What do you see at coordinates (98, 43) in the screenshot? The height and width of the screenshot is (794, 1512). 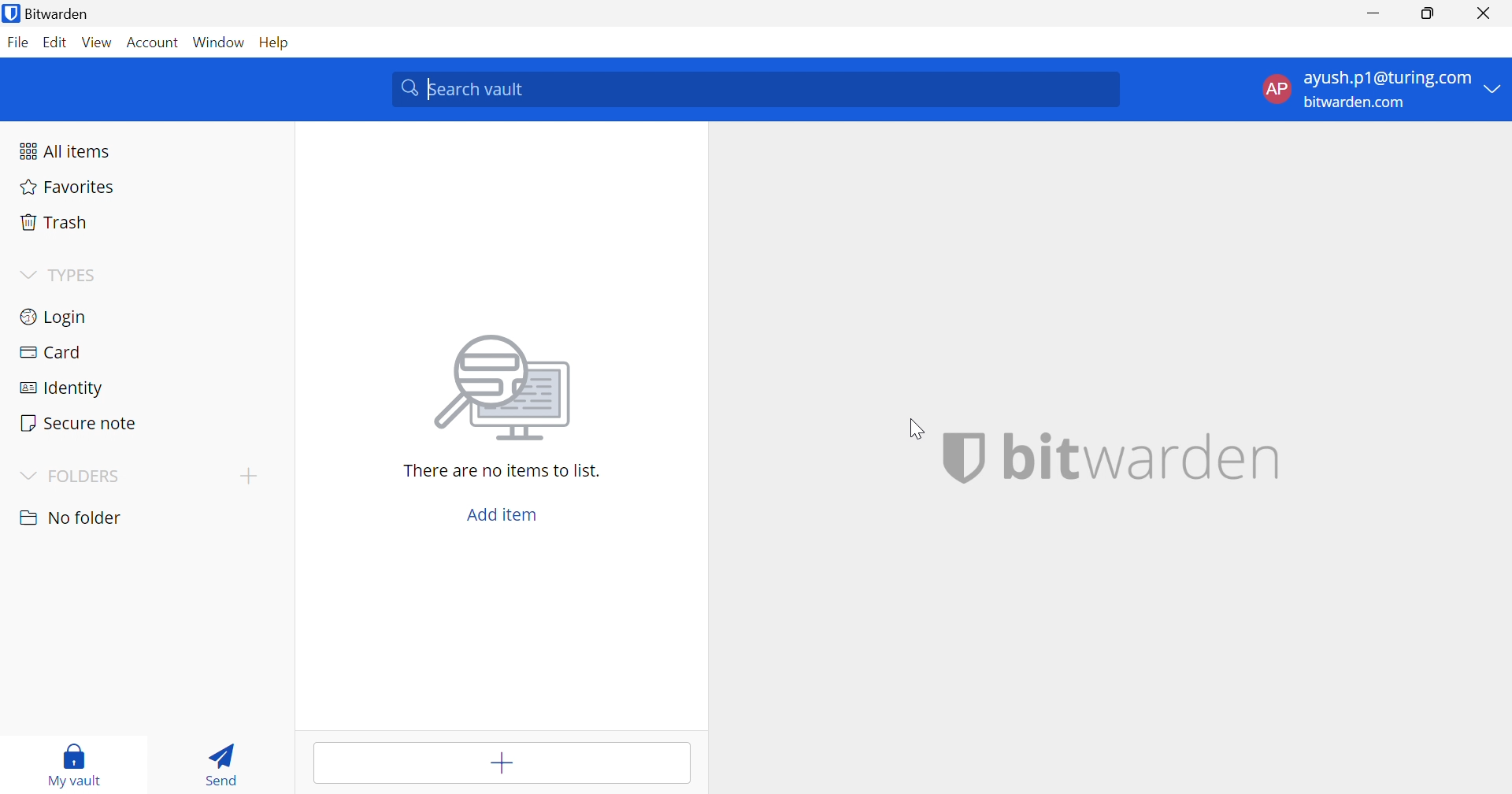 I see `View` at bounding box center [98, 43].